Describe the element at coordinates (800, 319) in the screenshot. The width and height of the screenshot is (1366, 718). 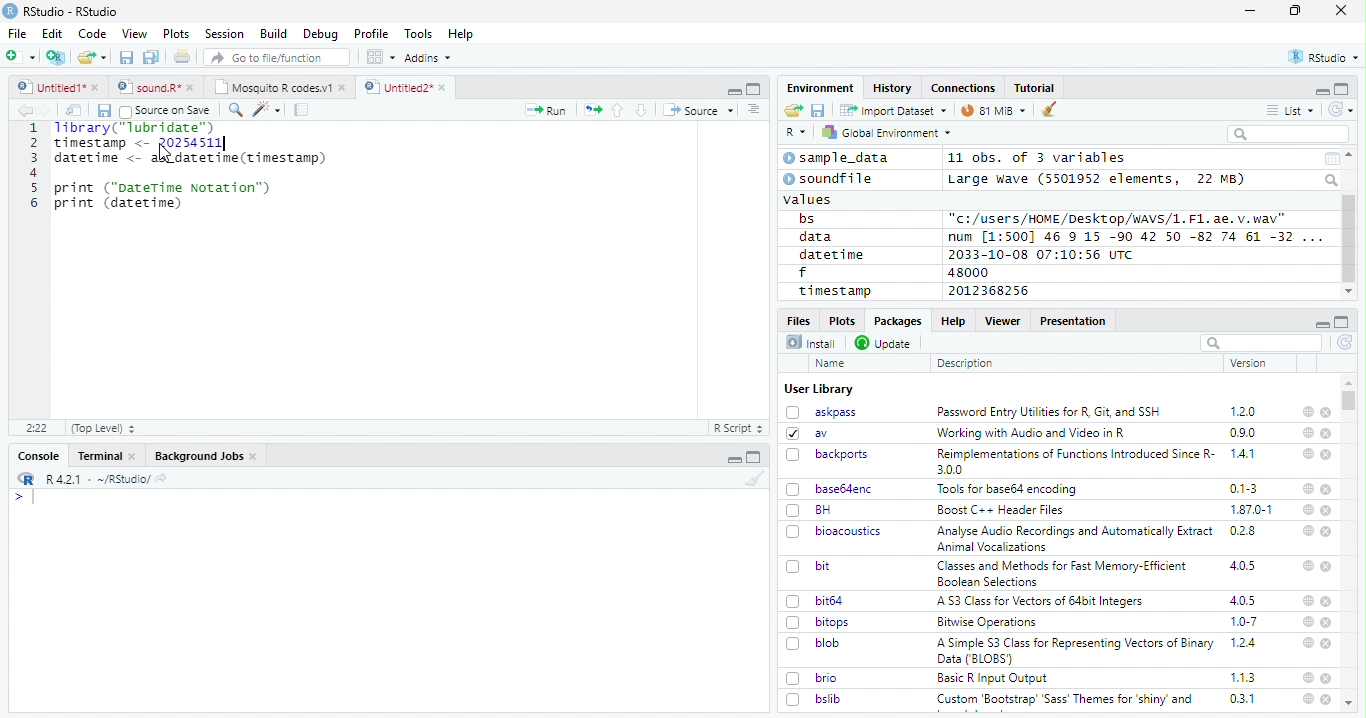
I see `Files` at that location.